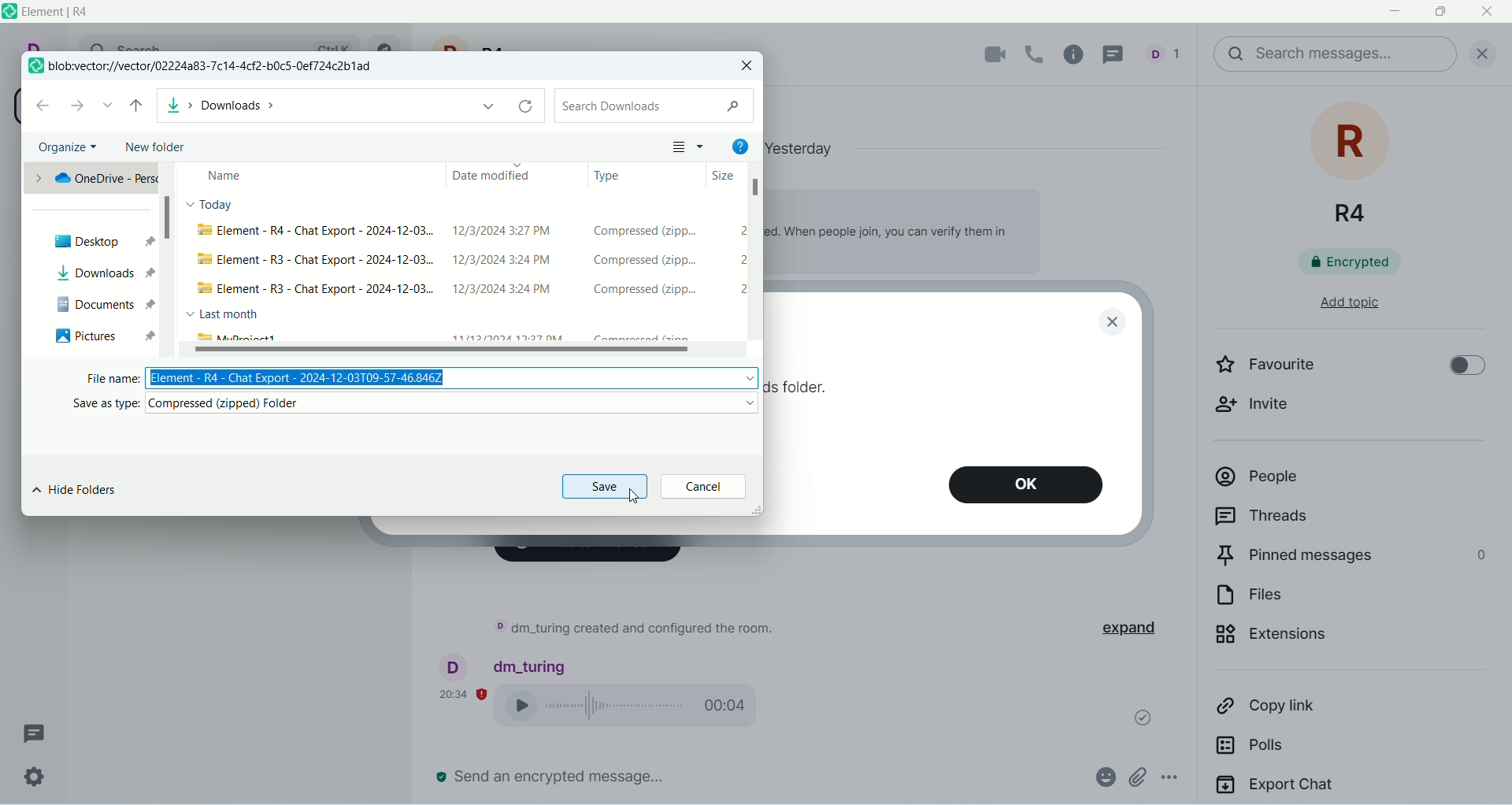  I want to click on organize, so click(69, 144).